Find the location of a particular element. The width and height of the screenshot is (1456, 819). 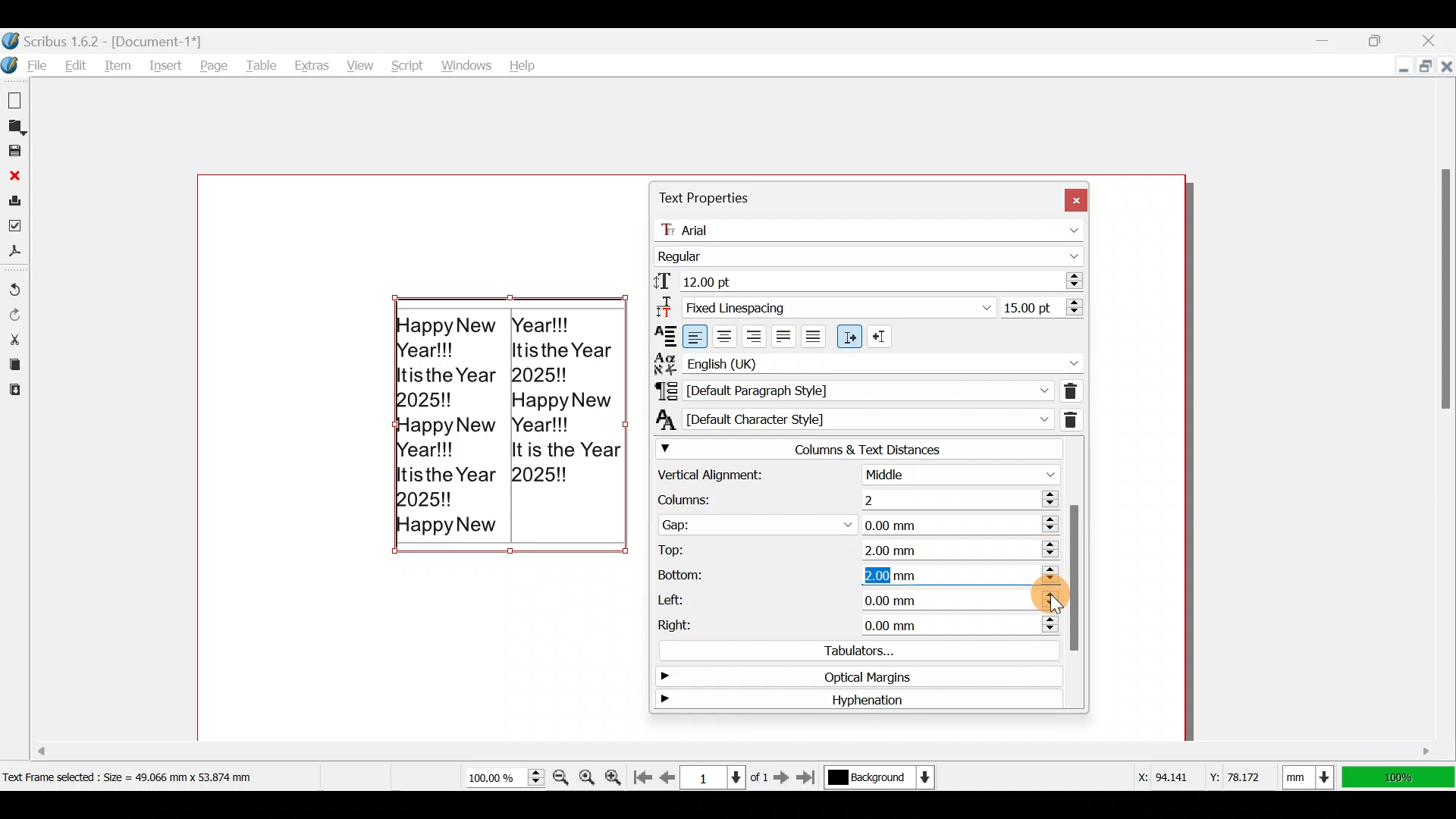

Go to the next page is located at coordinates (783, 777).